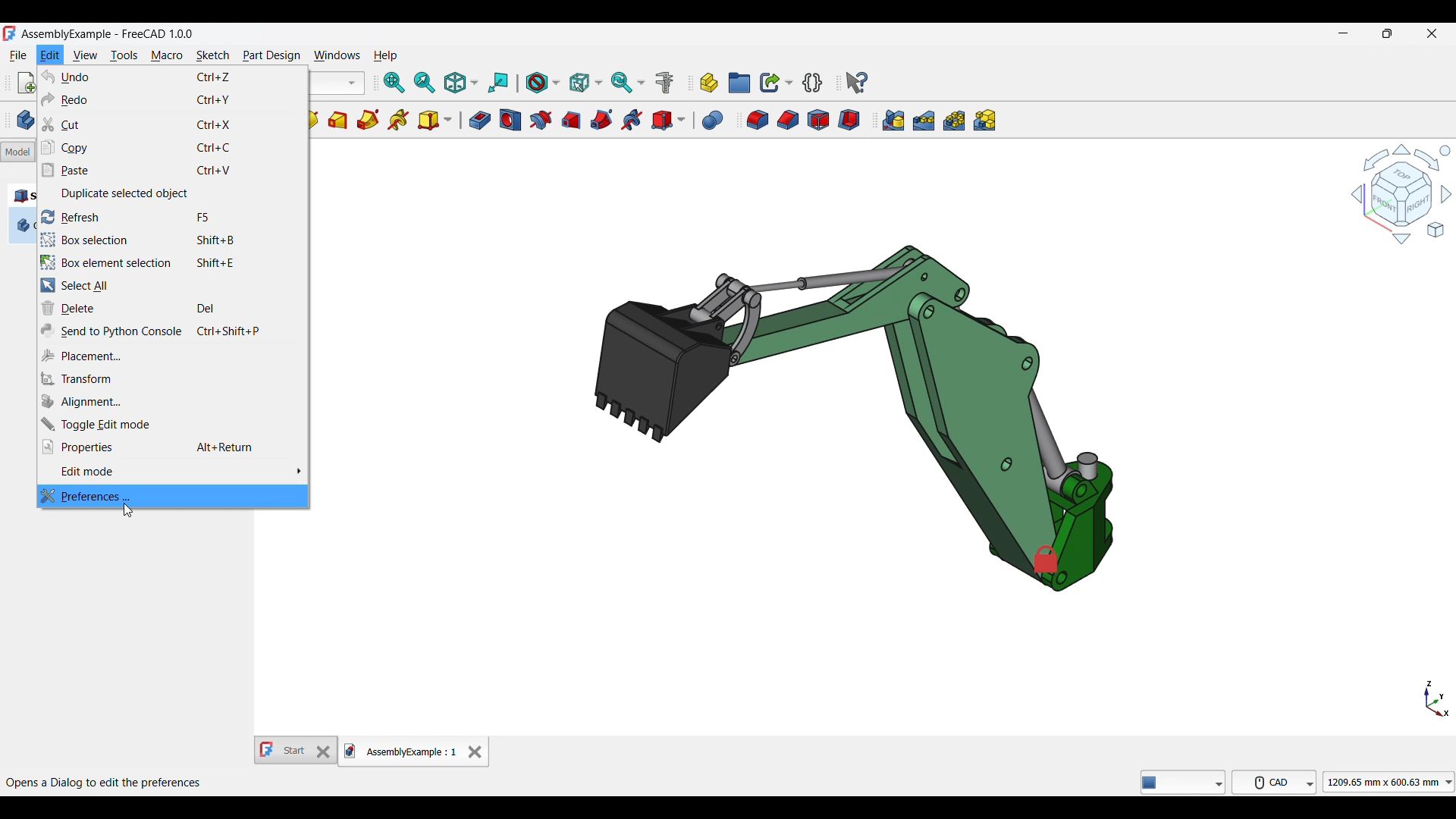 The width and height of the screenshot is (1456, 819). I want to click on Sync view options, so click(628, 83).